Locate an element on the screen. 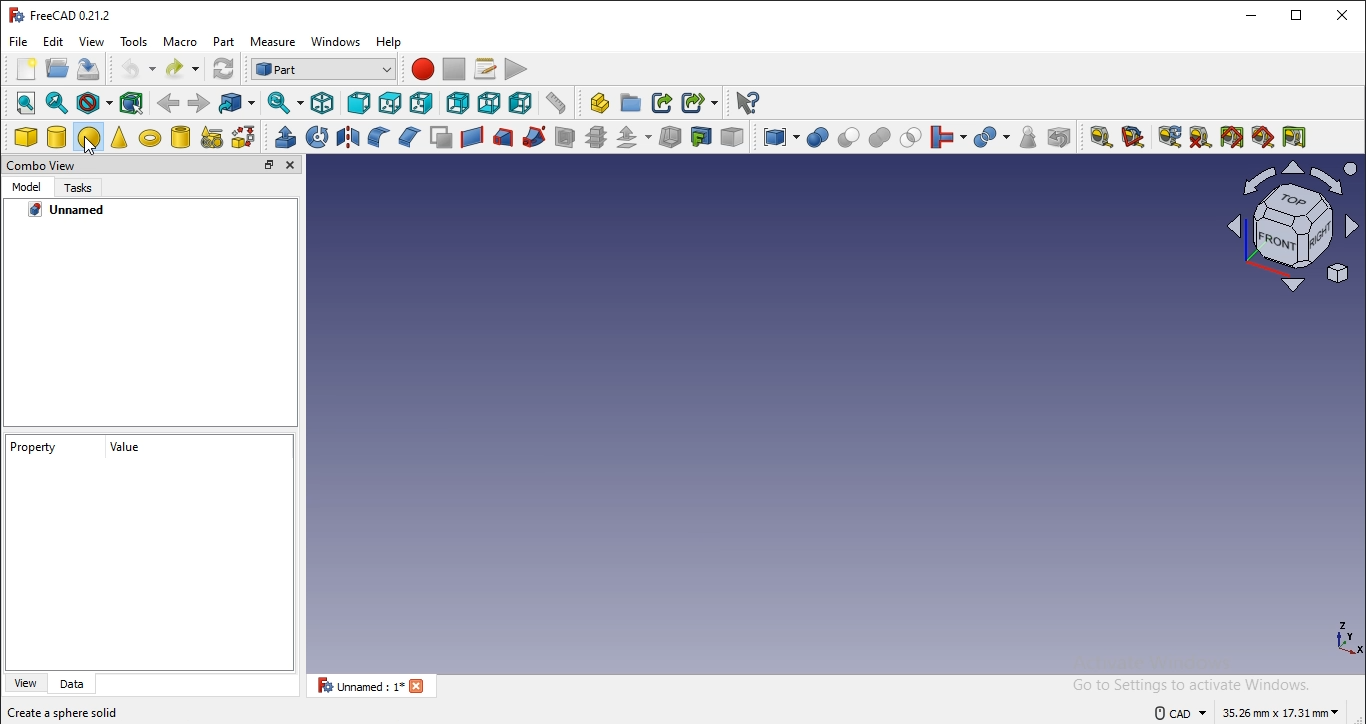 This screenshot has width=1366, height=724. coordinate axes and face shapeicon is located at coordinates (1293, 227).